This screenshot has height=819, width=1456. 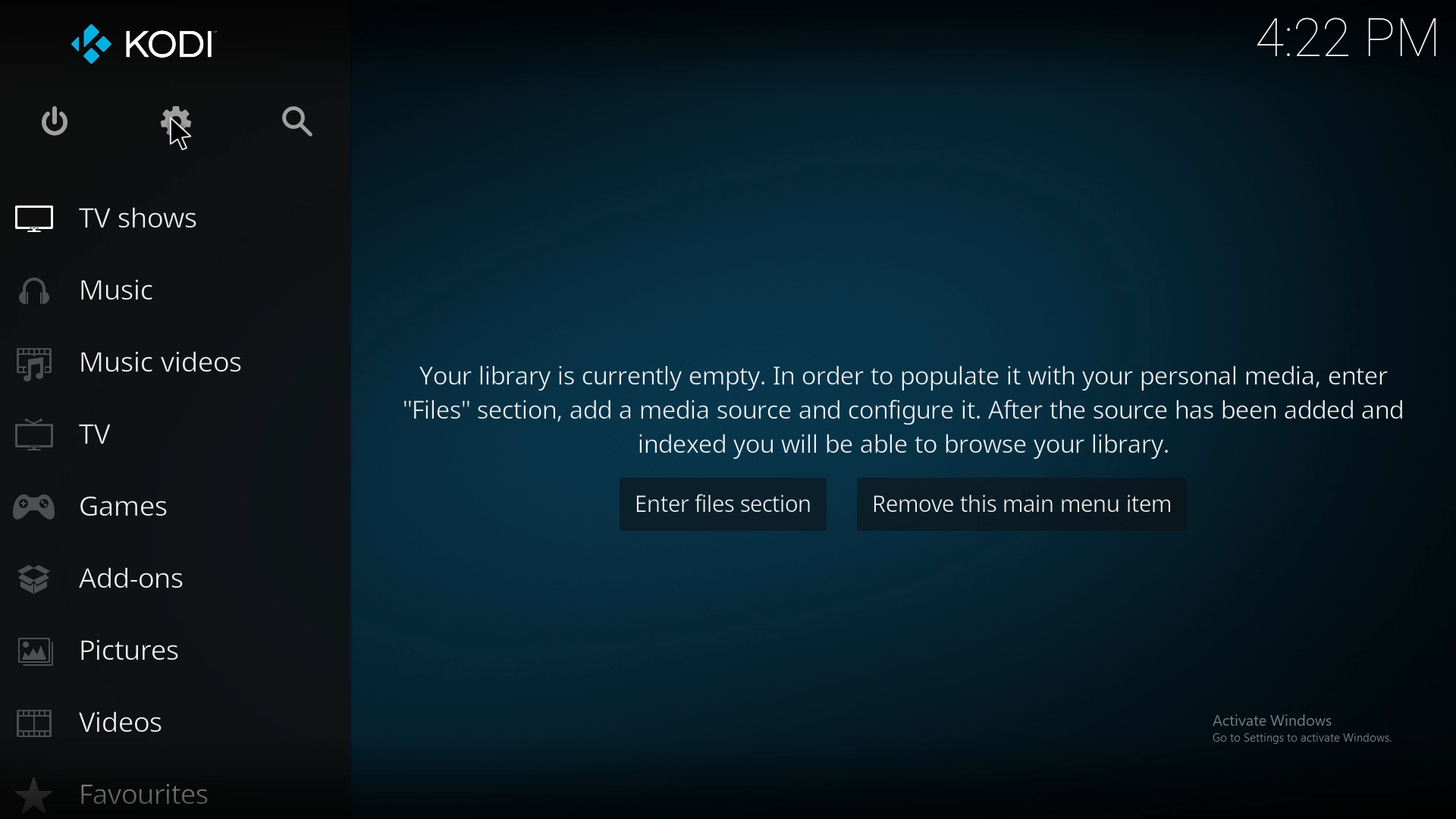 I want to click on videos, so click(x=166, y=723).